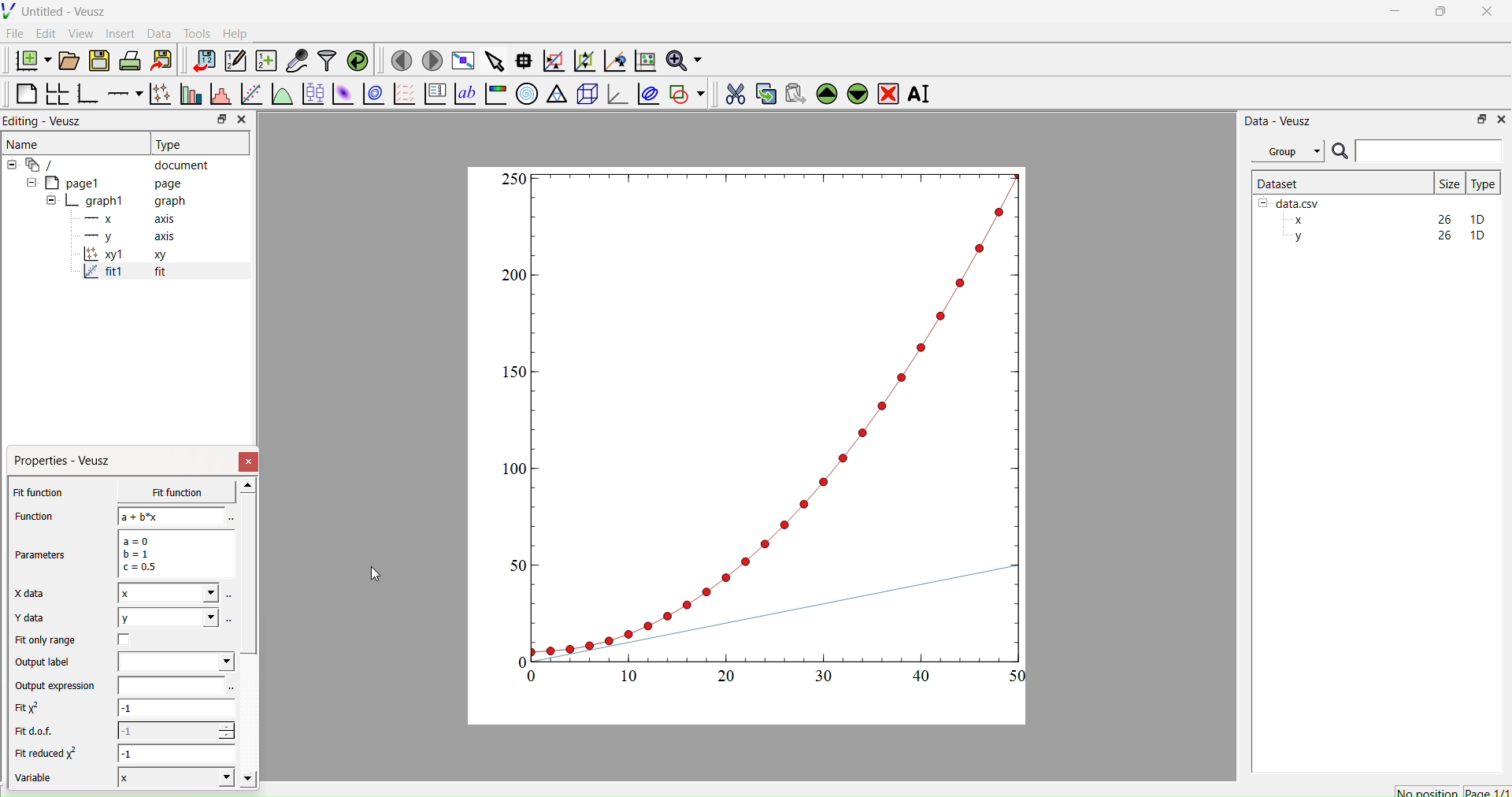  What do you see at coordinates (522, 58) in the screenshot?
I see `Read data points` at bounding box center [522, 58].